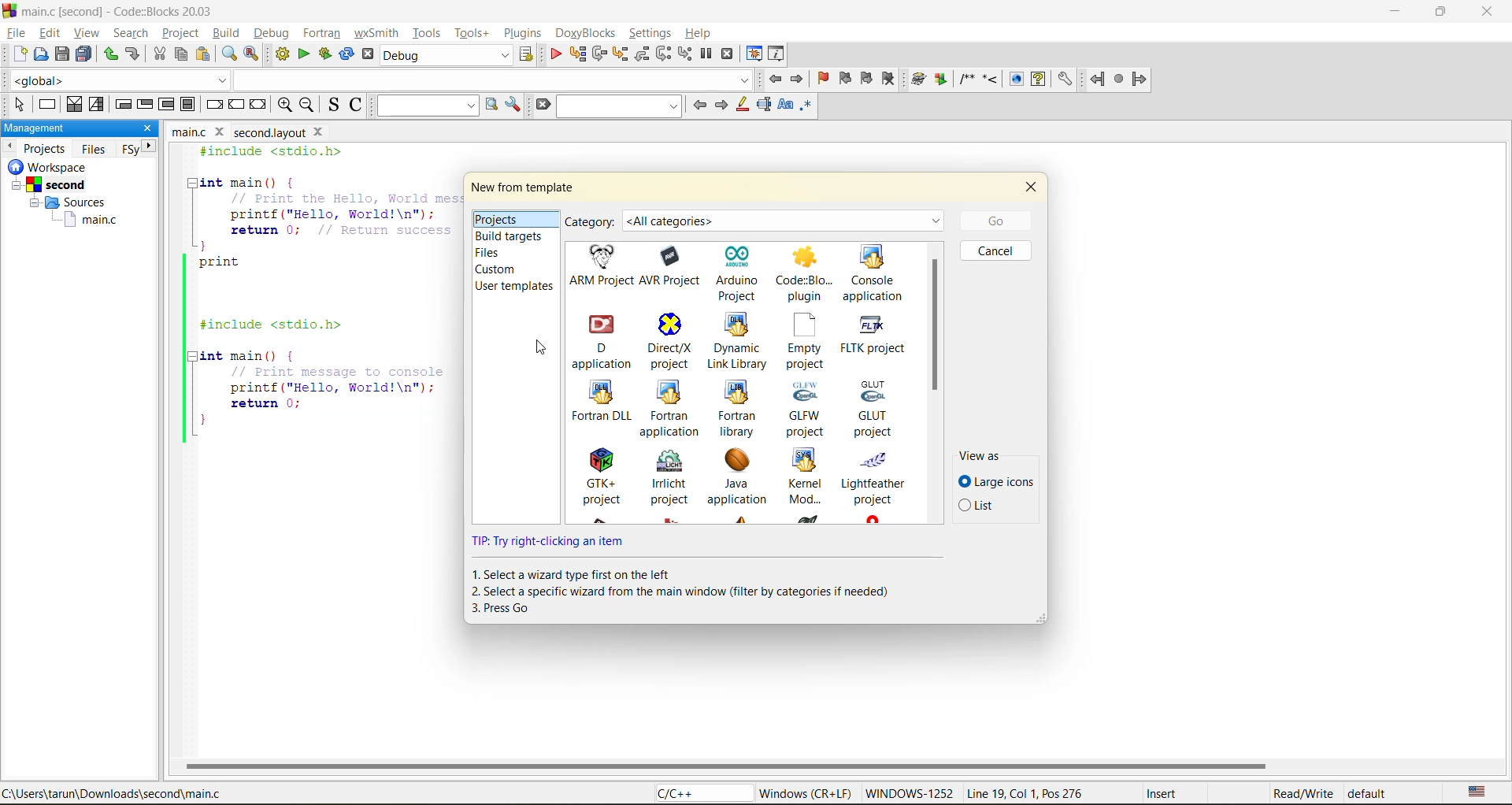 This screenshot has height=805, width=1512. Describe the element at coordinates (528, 56) in the screenshot. I see `show select target dialog` at that location.